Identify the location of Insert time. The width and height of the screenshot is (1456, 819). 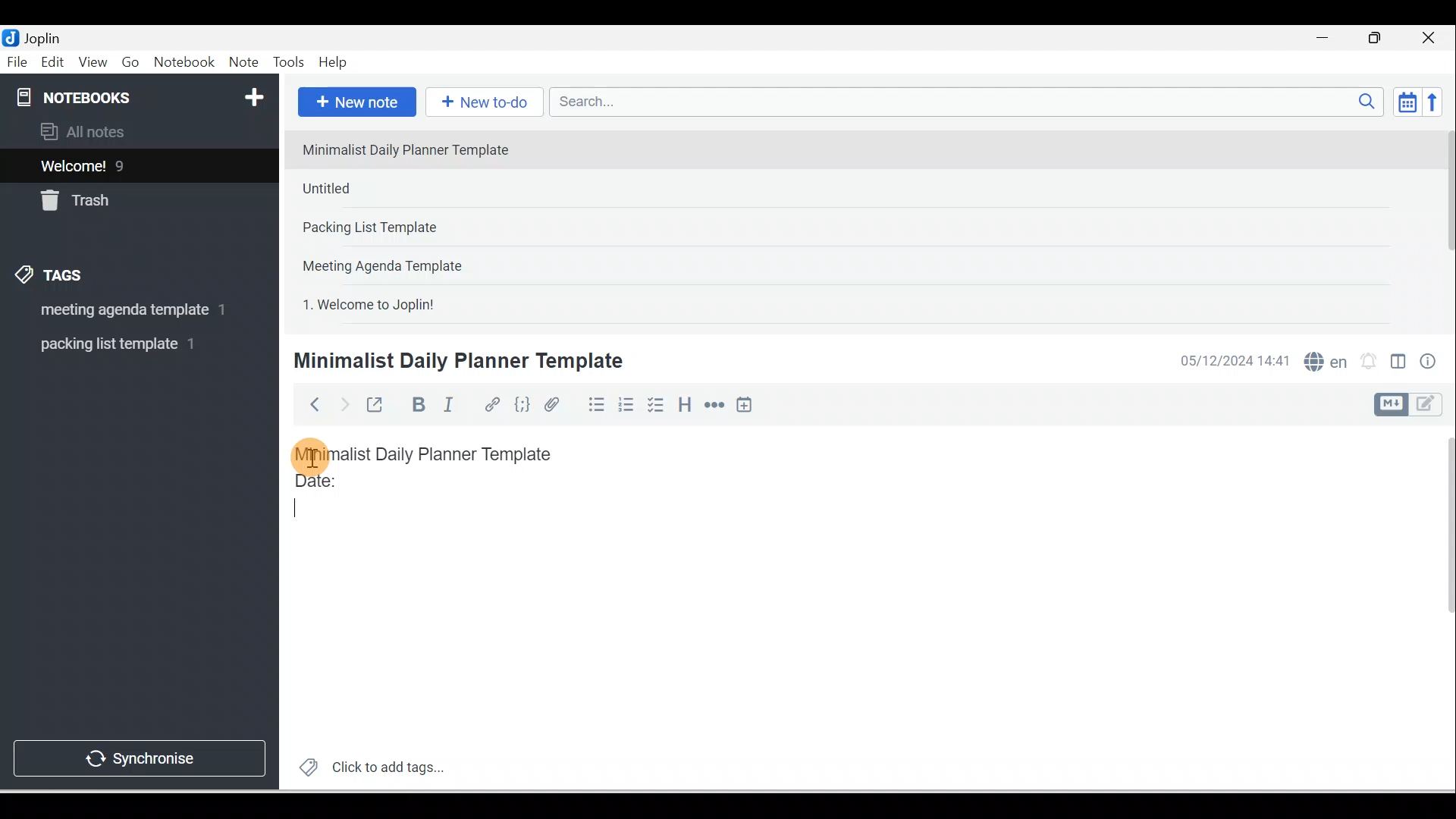
(744, 406).